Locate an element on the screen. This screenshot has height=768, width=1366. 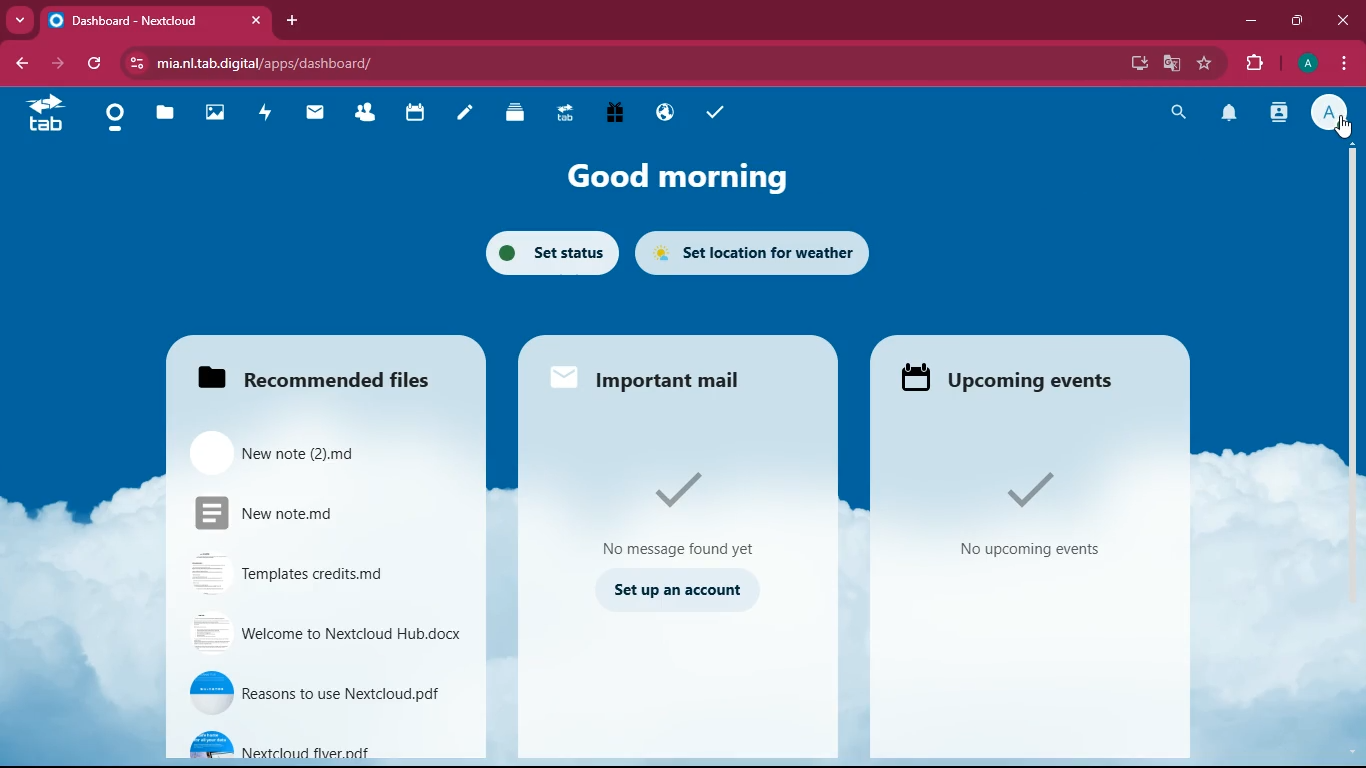
Email Hosting is located at coordinates (666, 115).